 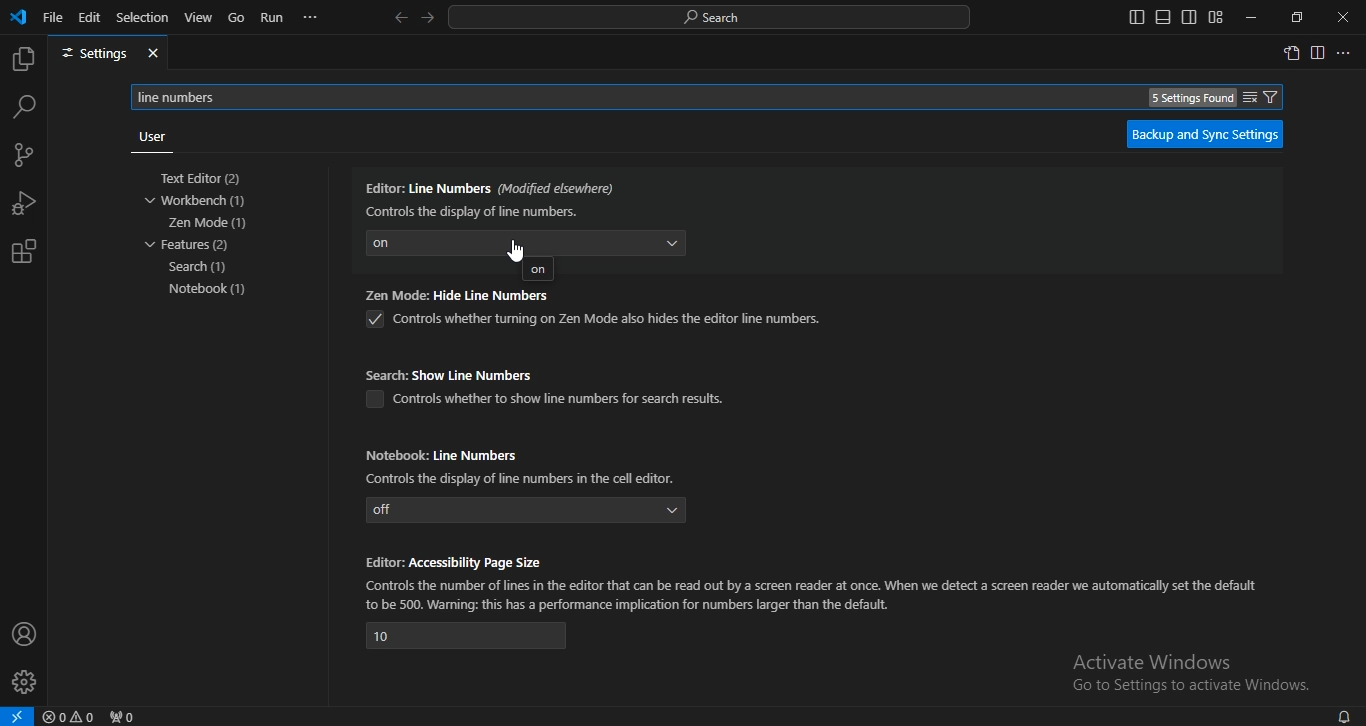 I want to click on ‘Search: Show Line Numbers.
Controls whether to show line numbers for search results., so click(x=552, y=386).